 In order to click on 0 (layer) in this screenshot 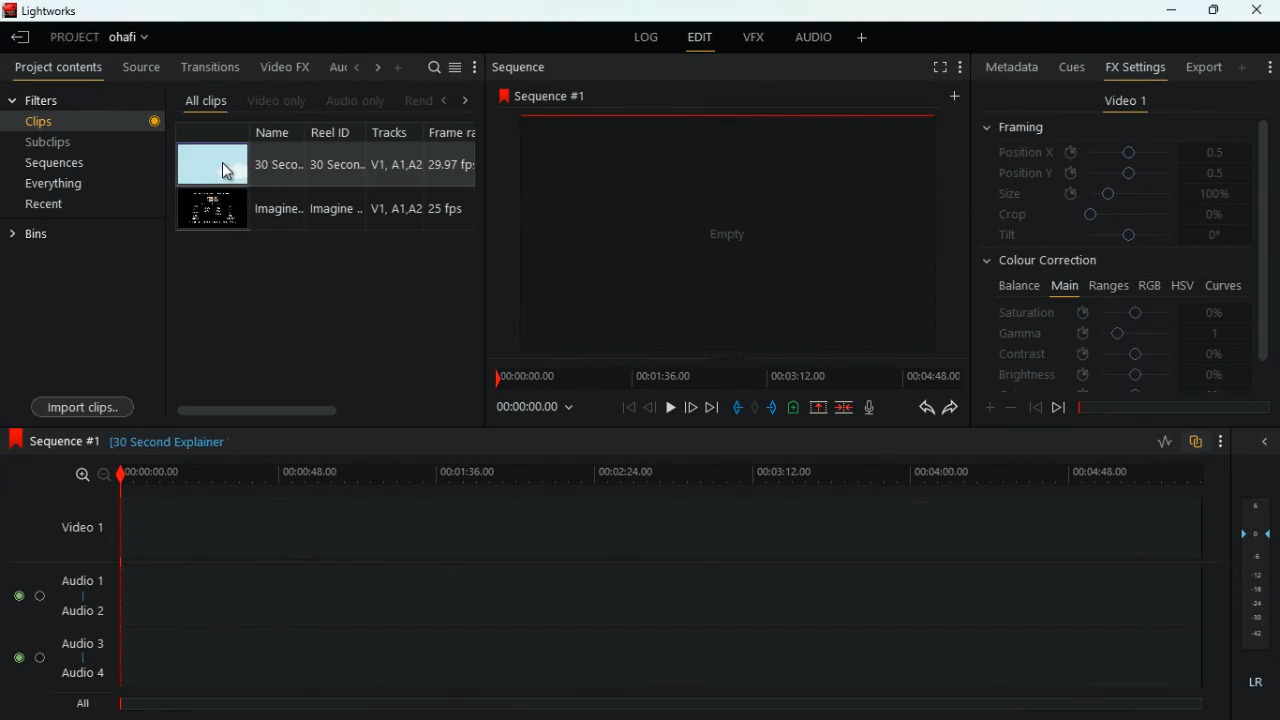, I will do `click(1252, 531)`.